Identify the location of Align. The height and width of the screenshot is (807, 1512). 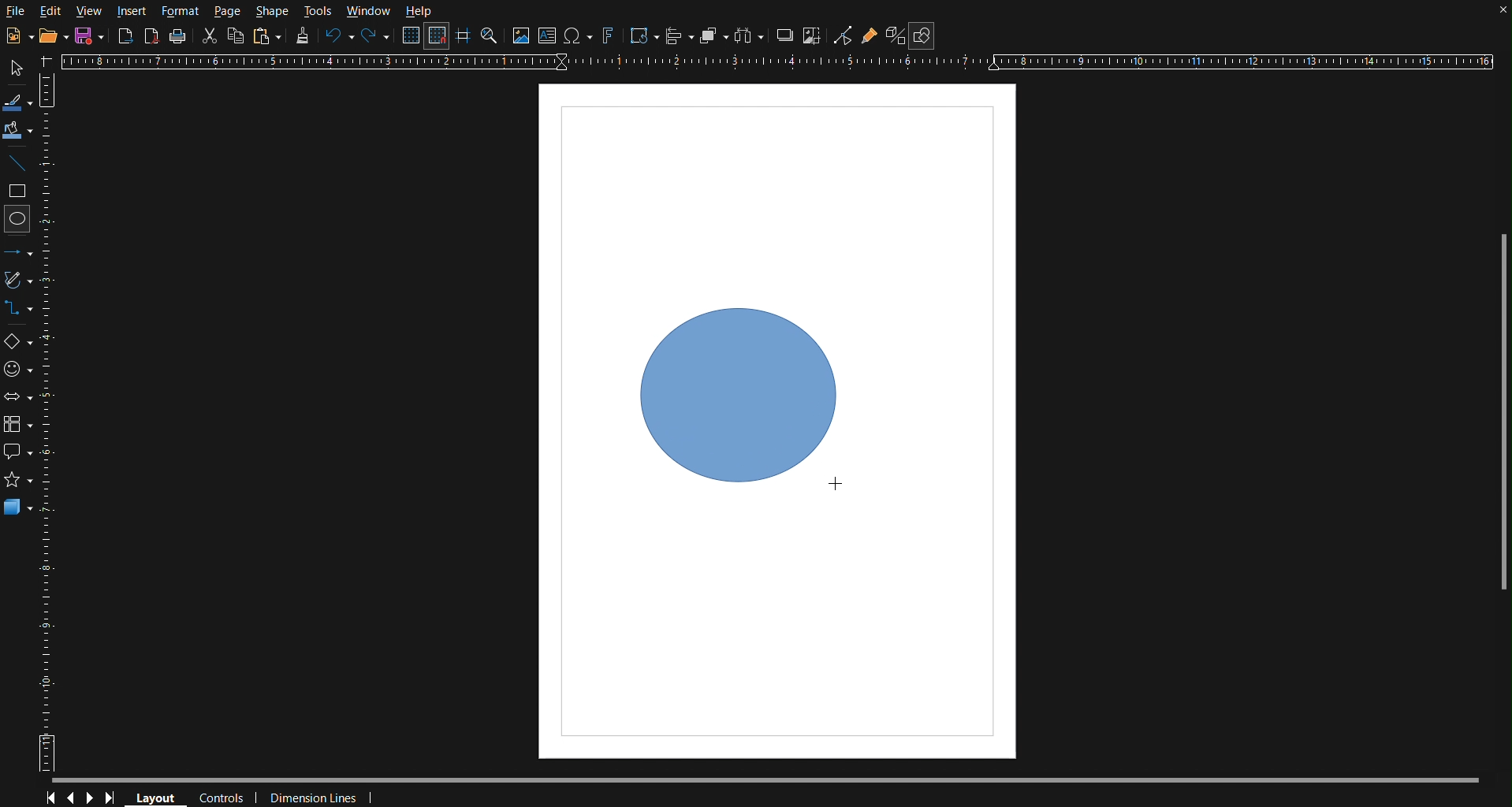
(679, 35).